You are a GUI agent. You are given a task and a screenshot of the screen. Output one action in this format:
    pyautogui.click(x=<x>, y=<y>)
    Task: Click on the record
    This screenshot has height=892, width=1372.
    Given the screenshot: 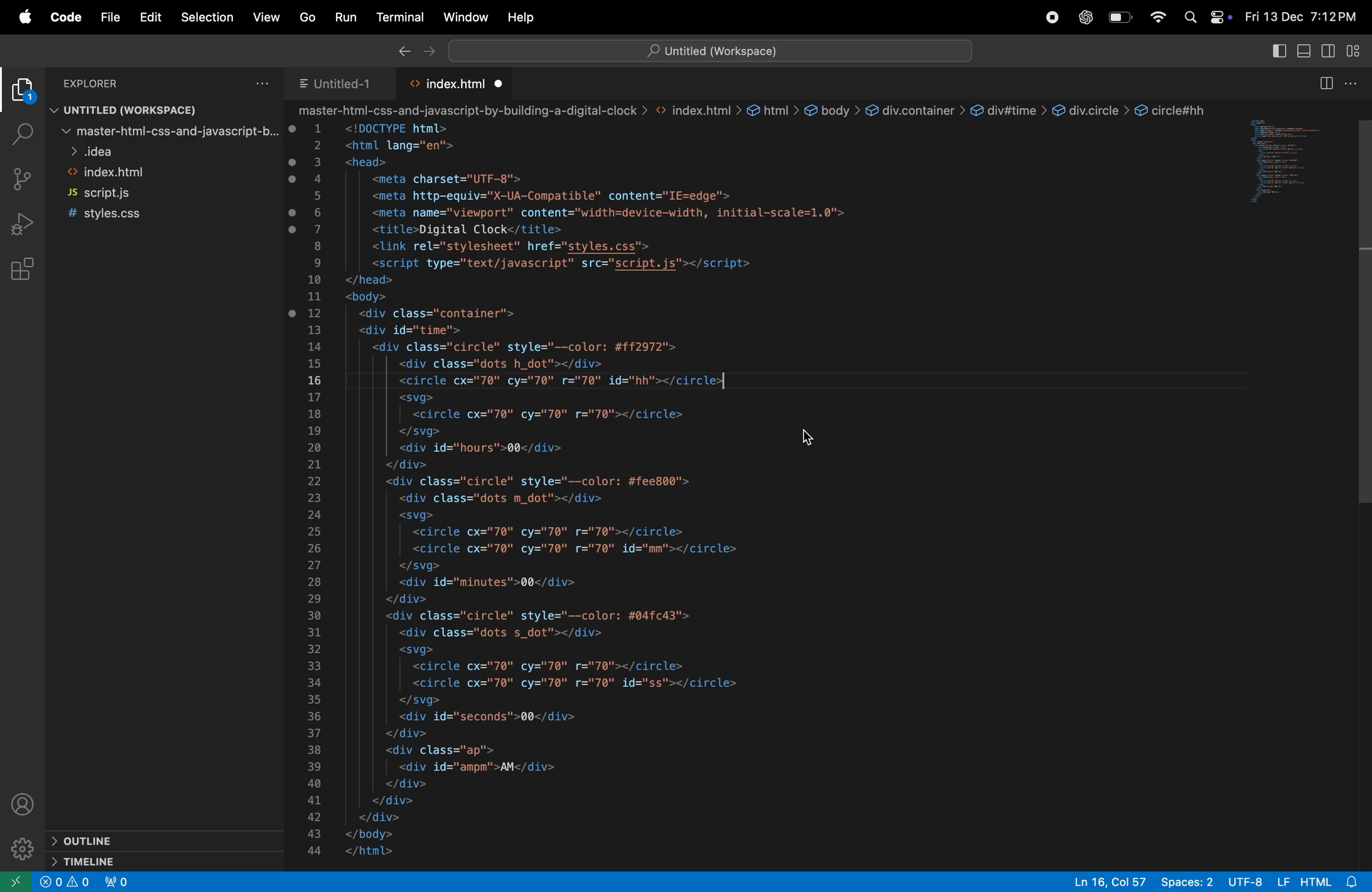 What is the action you would take?
    pyautogui.click(x=1055, y=17)
    